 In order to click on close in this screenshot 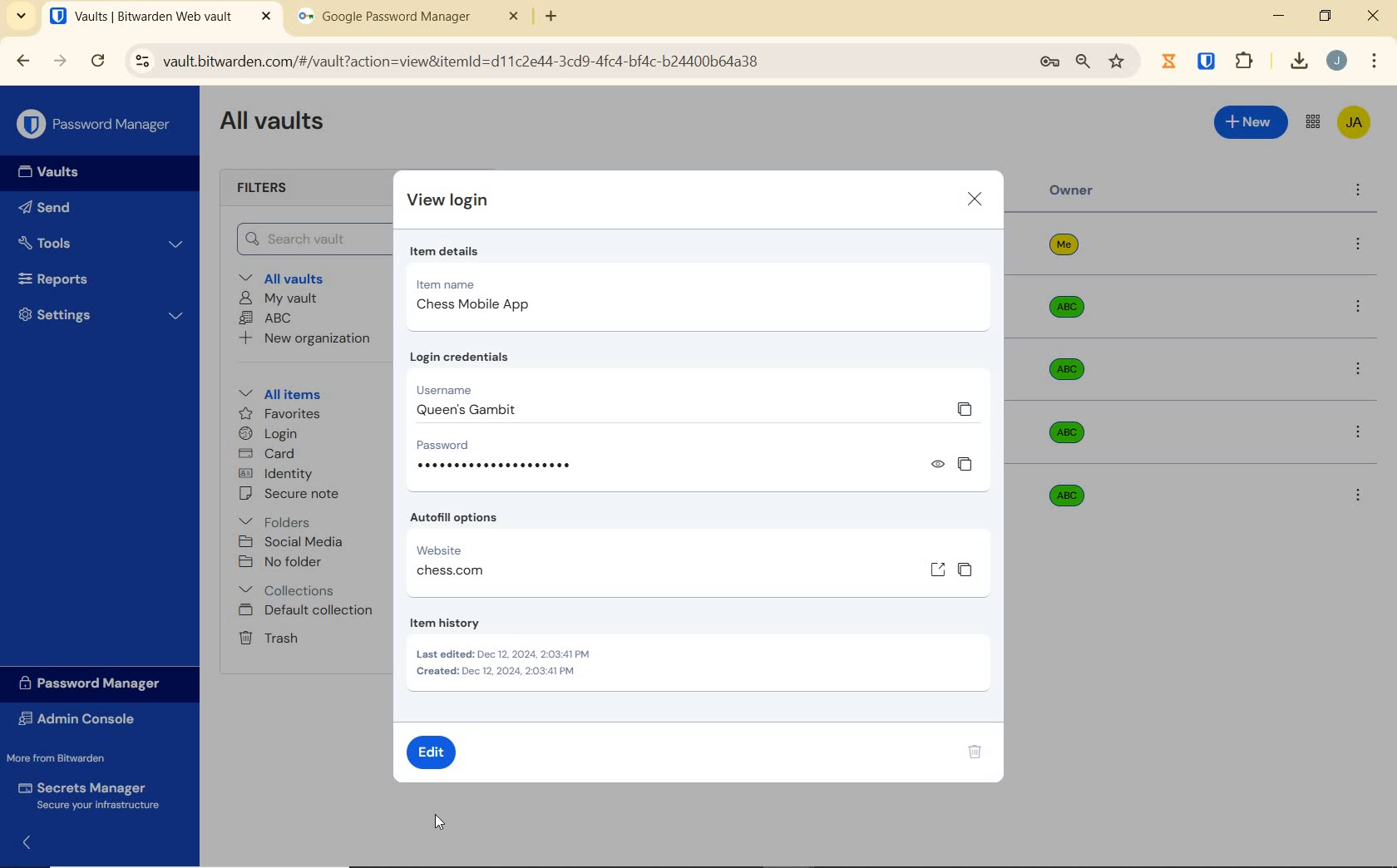, I will do `click(1375, 16)`.